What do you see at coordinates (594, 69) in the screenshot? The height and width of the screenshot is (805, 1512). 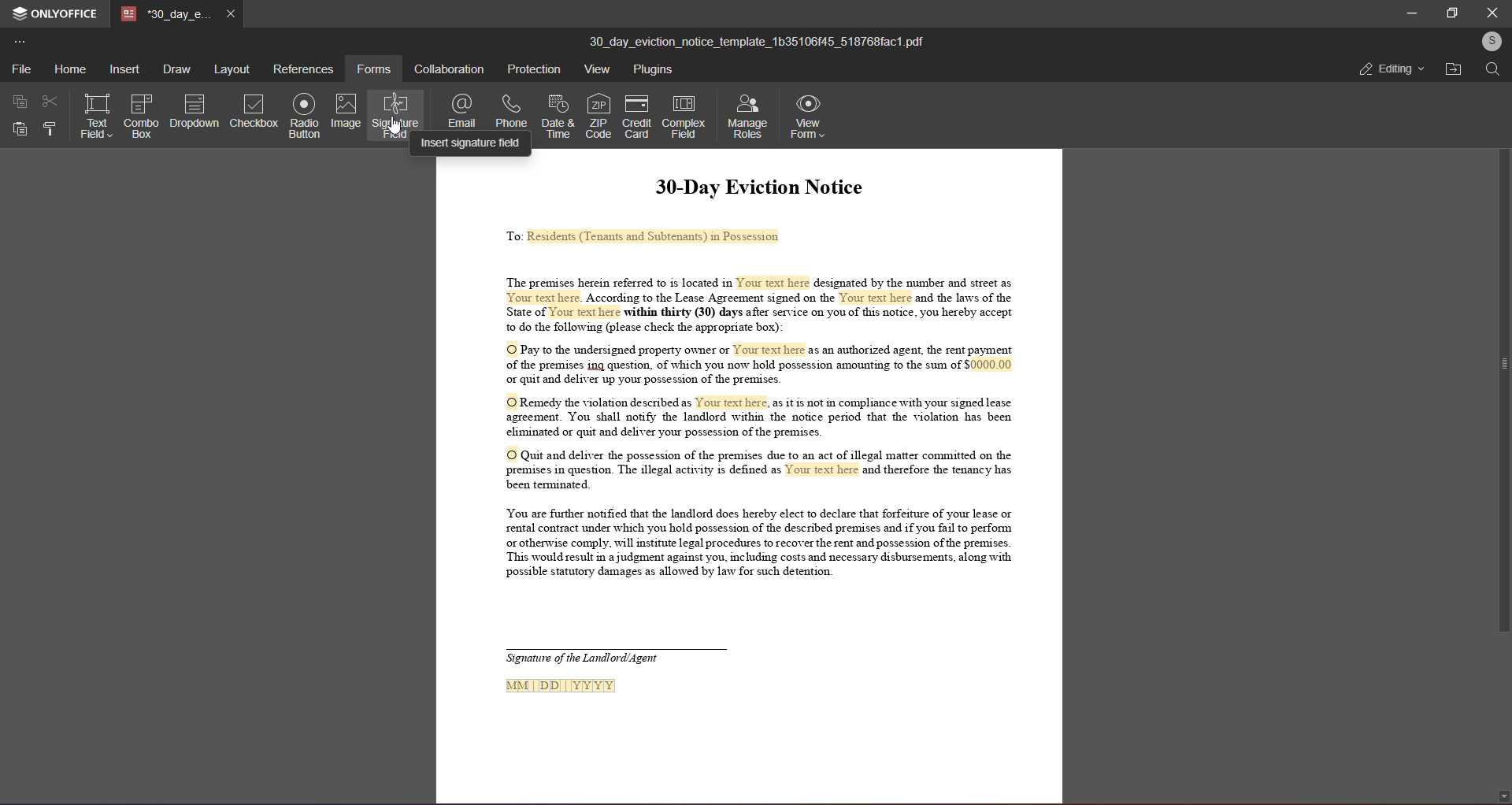 I see `view` at bounding box center [594, 69].